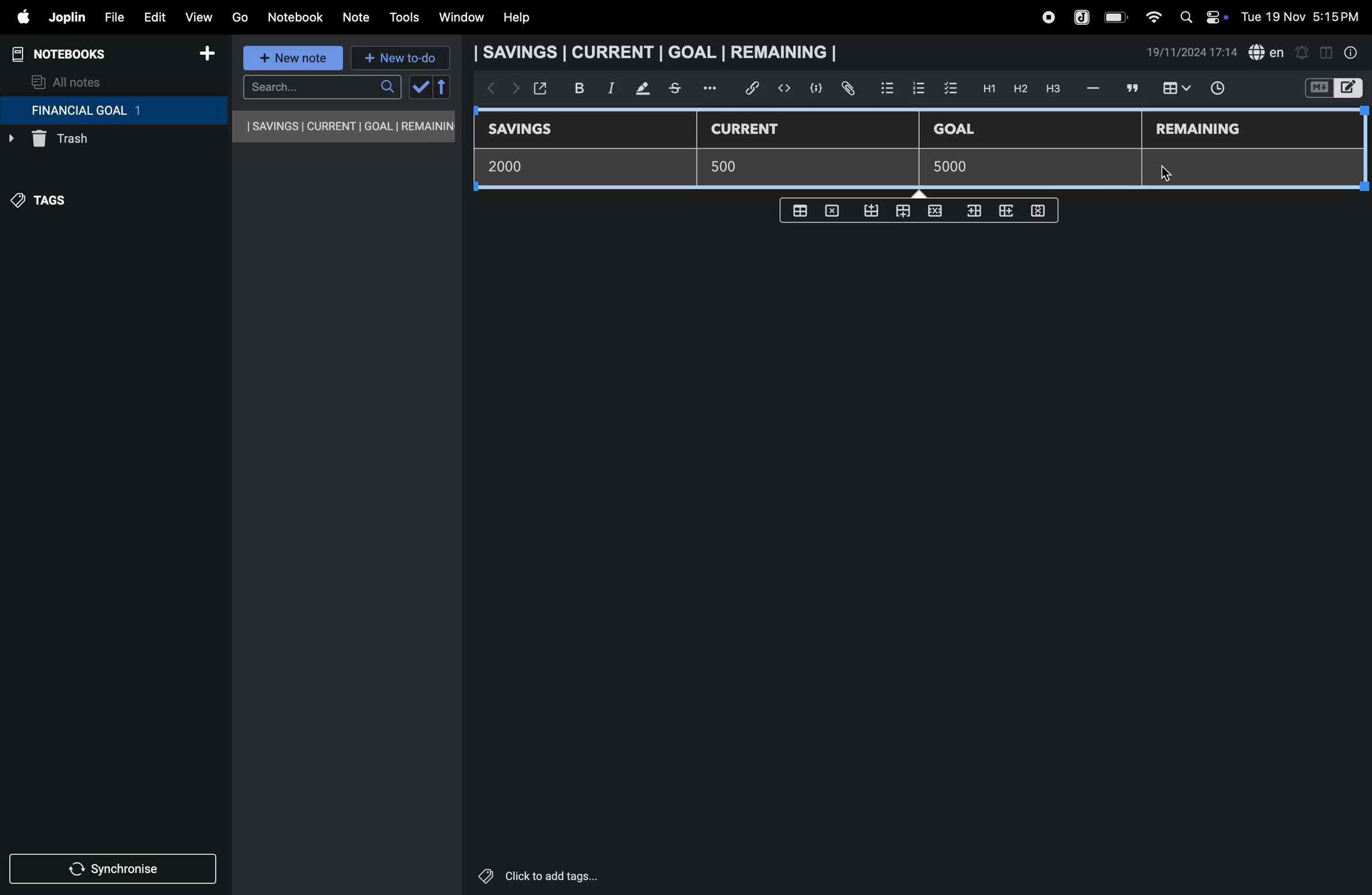  I want to click on trash, so click(89, 142).